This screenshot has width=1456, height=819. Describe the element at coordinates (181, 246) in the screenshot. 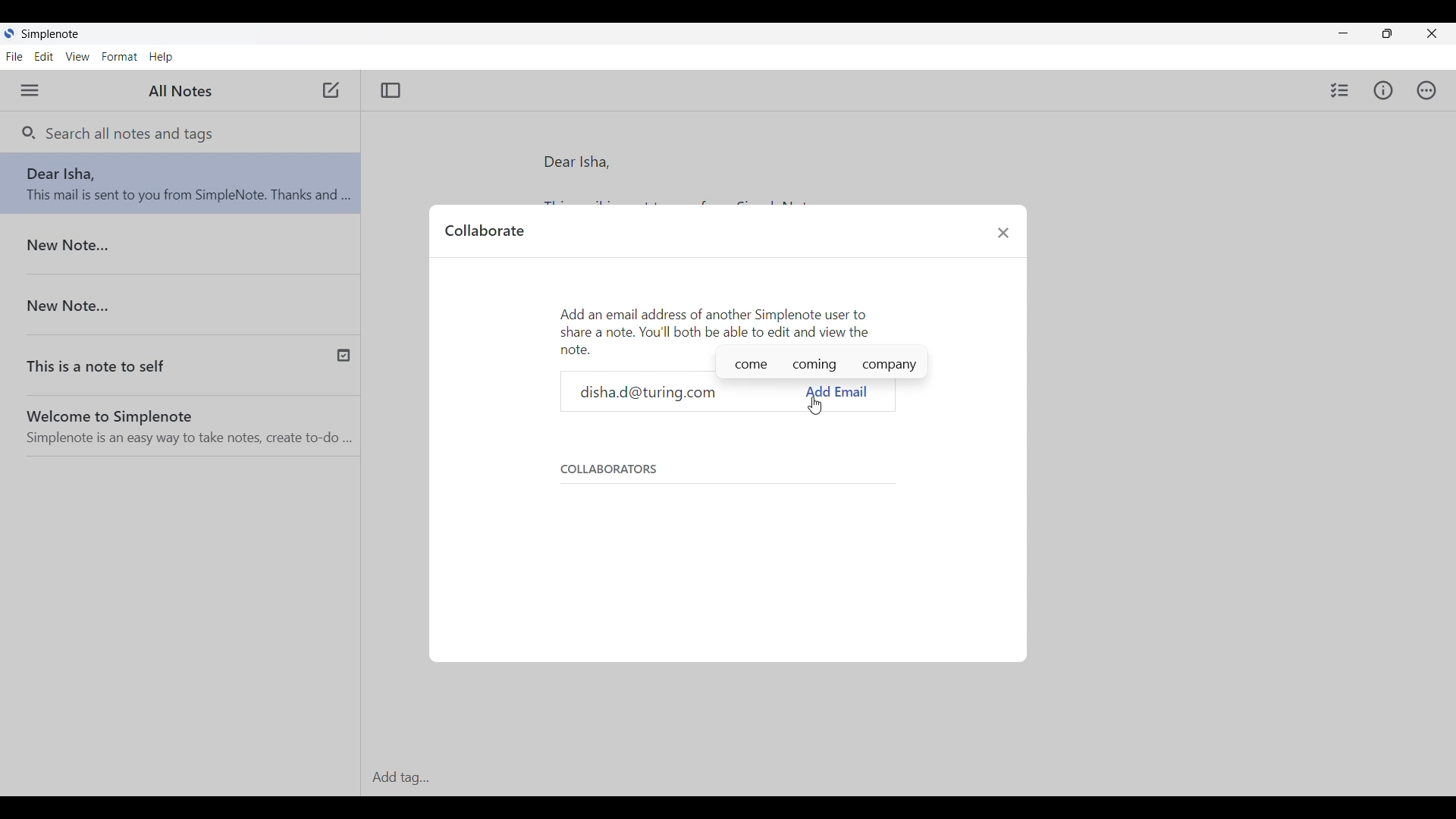

I see `New Note..` at that location.